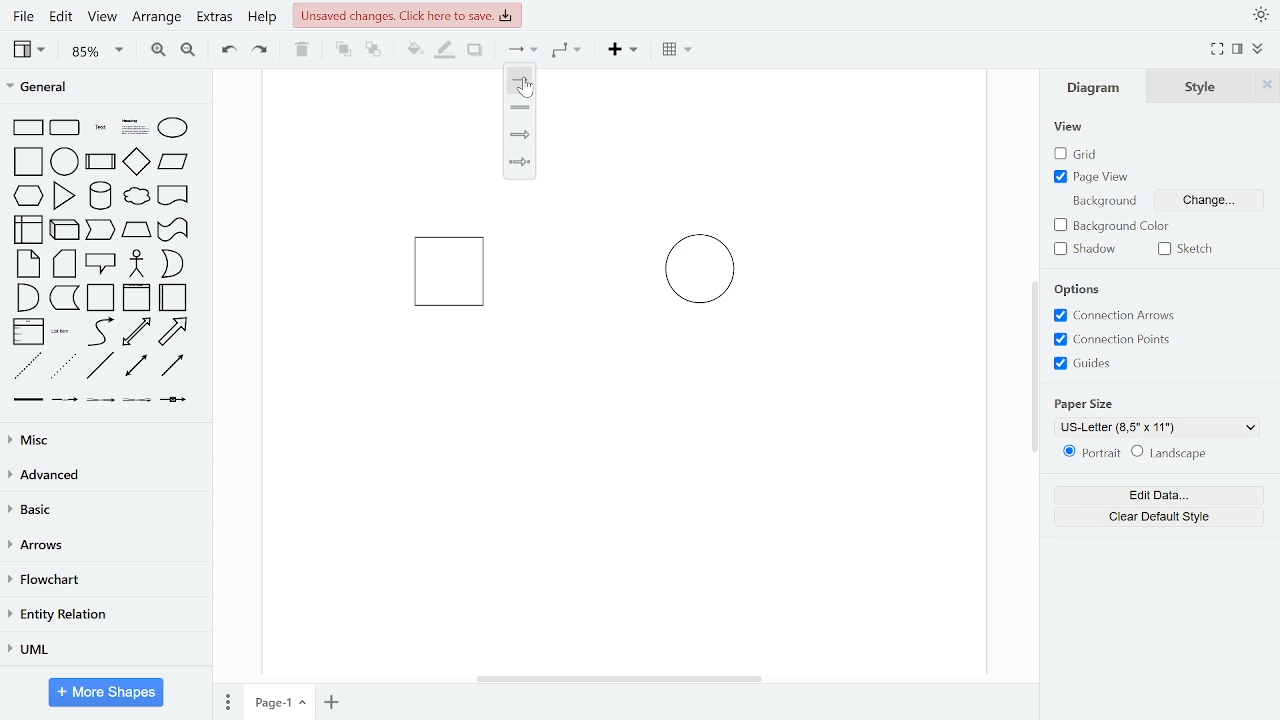  What do you see at coordinates (27, 400) in the screenshot?
I see `link` at bounding box center [27, 400].